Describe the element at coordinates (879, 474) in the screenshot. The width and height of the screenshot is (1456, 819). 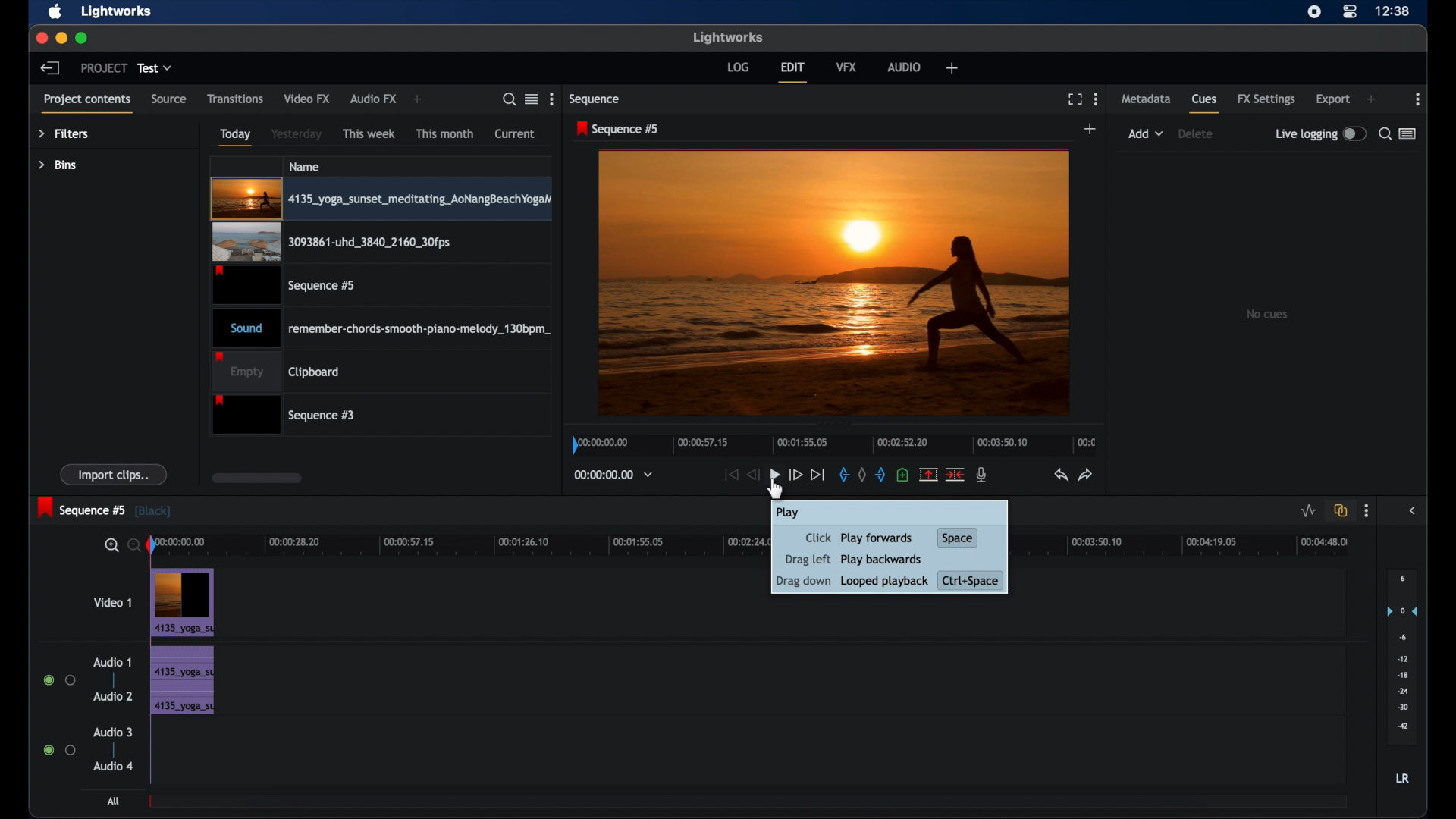
I see `out mark` at that location.